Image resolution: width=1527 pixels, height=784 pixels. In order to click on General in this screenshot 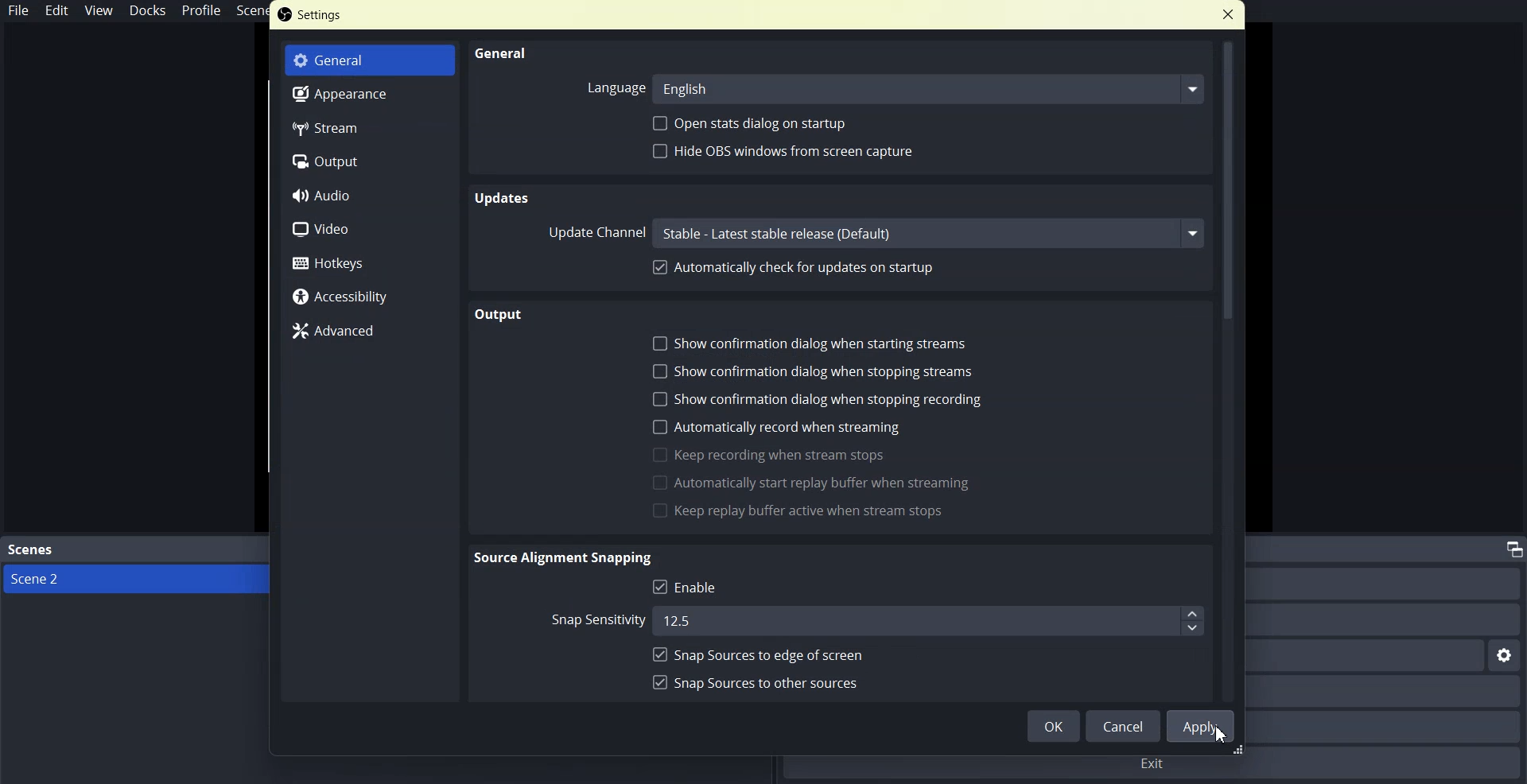, I will do `click(370, 61)`.